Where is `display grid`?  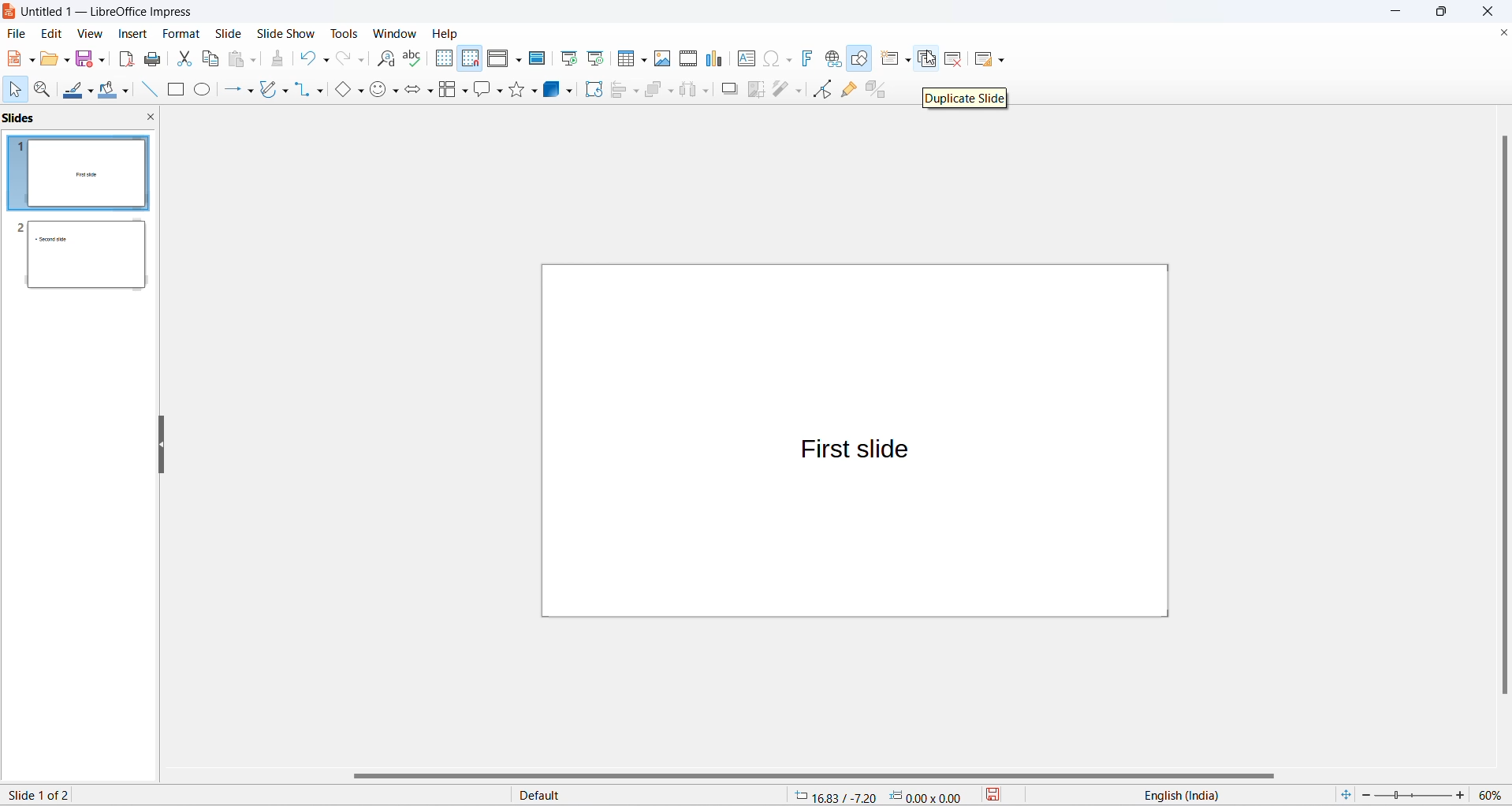 display grid is located at coordinates (443, 58).